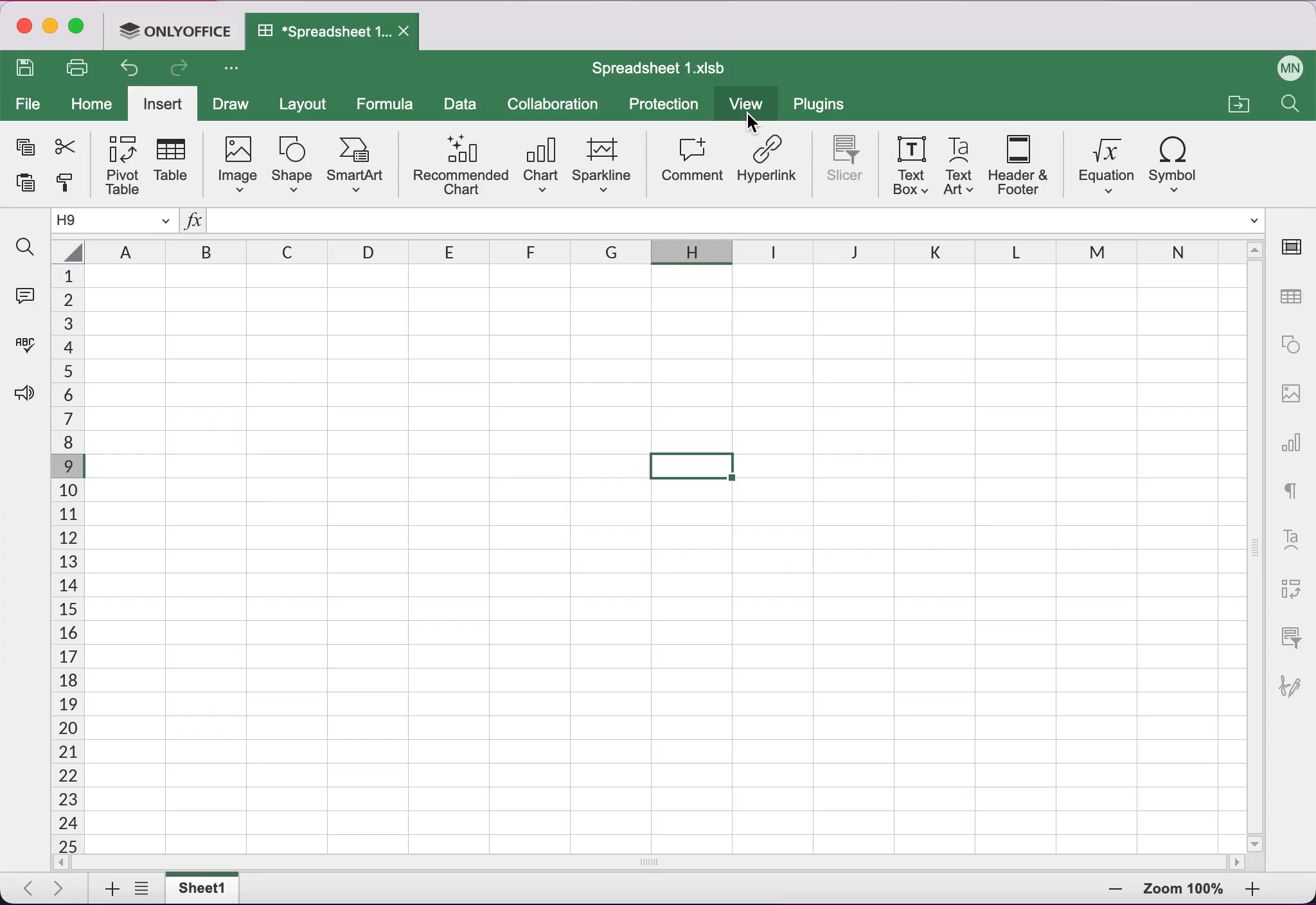 Image resolution: width=1316 pixels, height=905 pixels. I want to click on user, so click(1283, 66).